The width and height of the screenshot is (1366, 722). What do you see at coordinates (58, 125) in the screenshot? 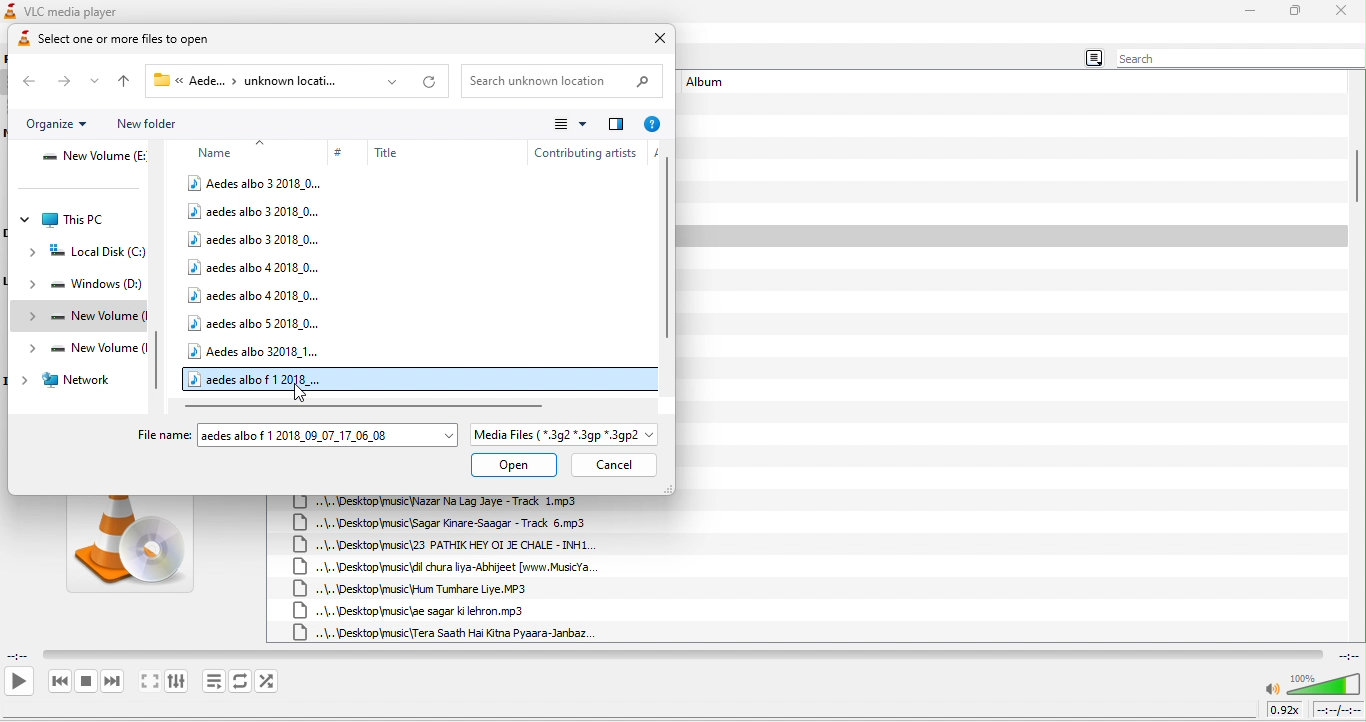
I see `organize` at bounding box center [58, 125].